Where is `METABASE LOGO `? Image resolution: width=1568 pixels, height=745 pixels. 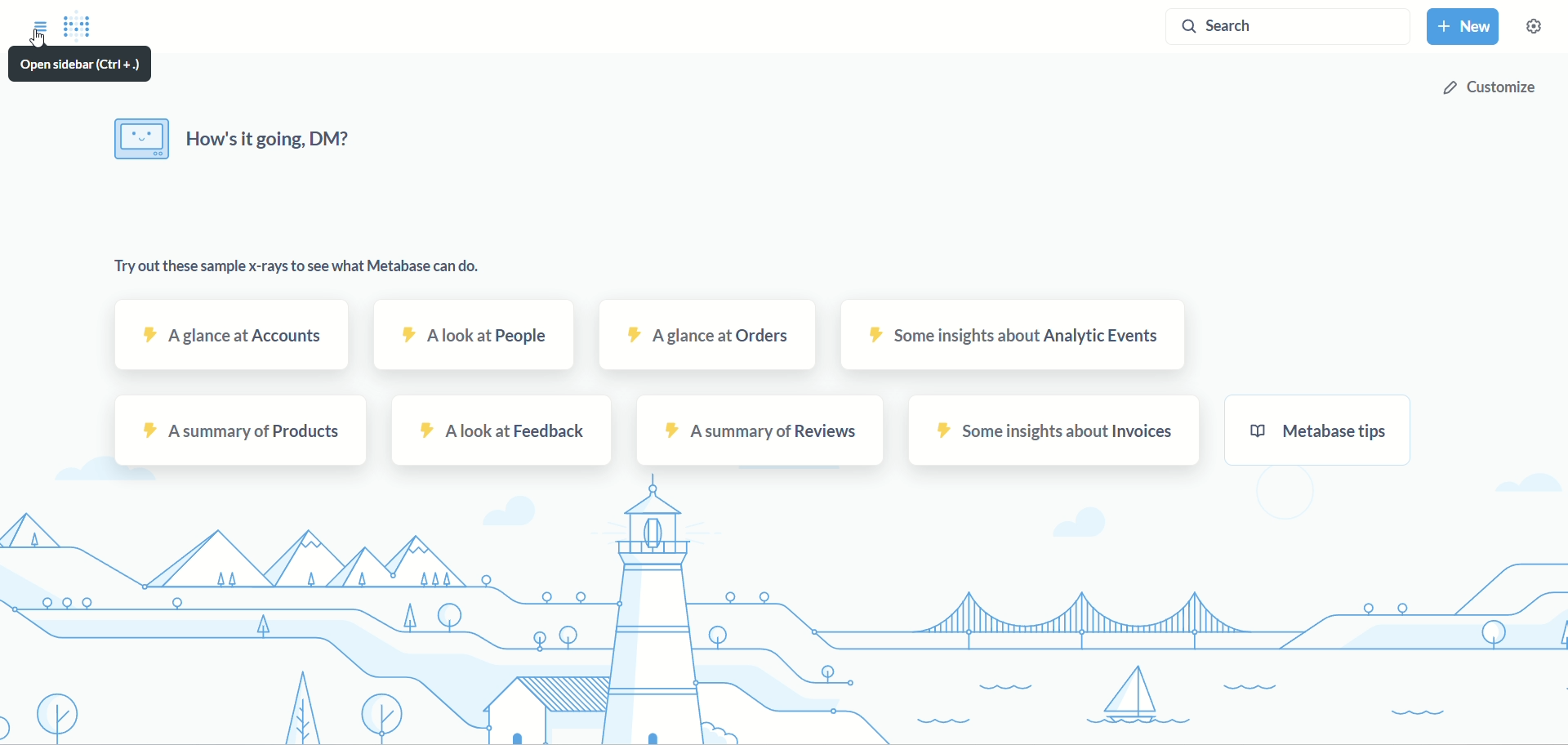 METABASE LOGO  is located at coordinates (84, 27).